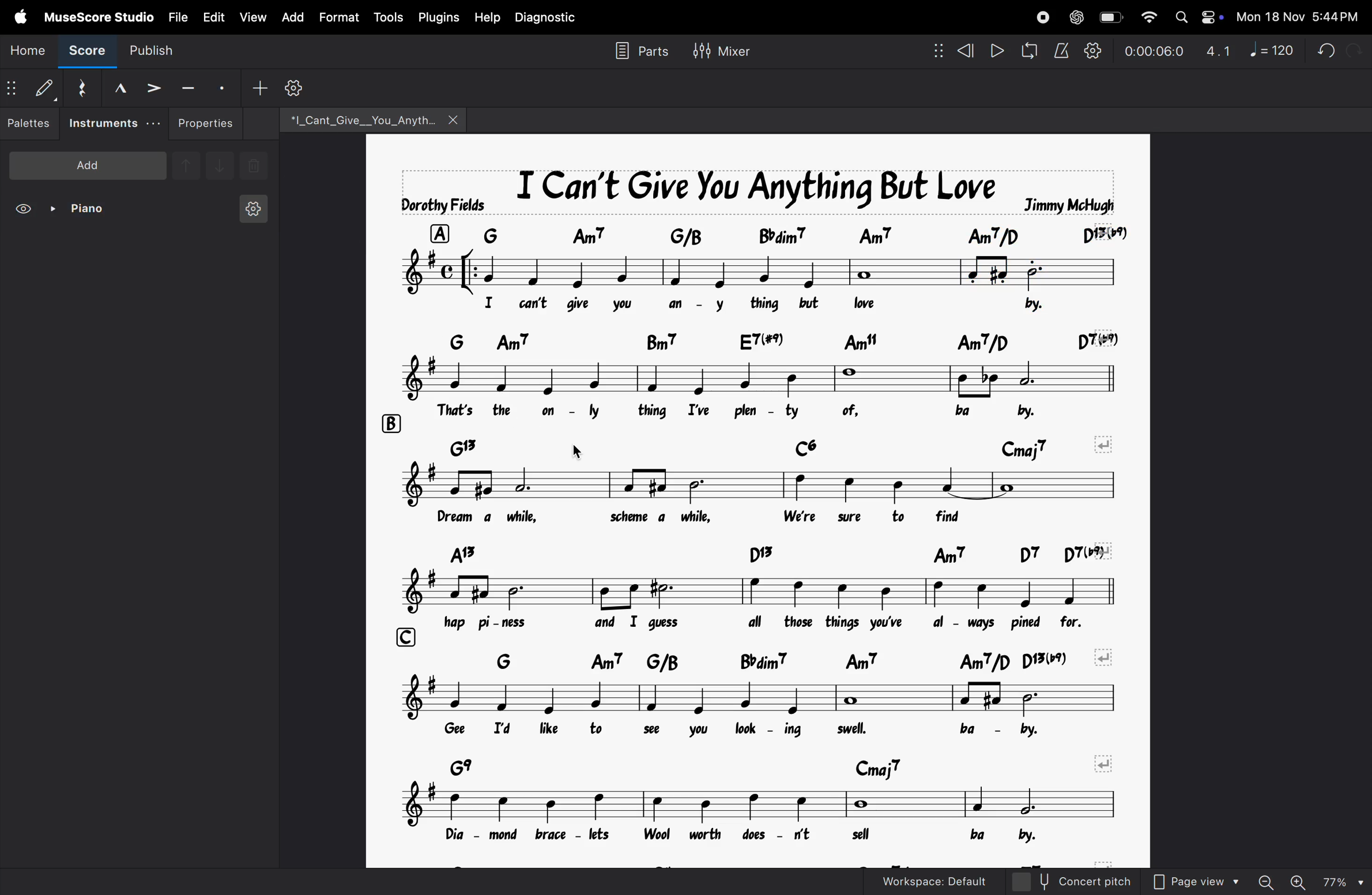 Image resolution: width=1372 pixels, height=895 pixels. I want to click on piano, so click(78, 211).